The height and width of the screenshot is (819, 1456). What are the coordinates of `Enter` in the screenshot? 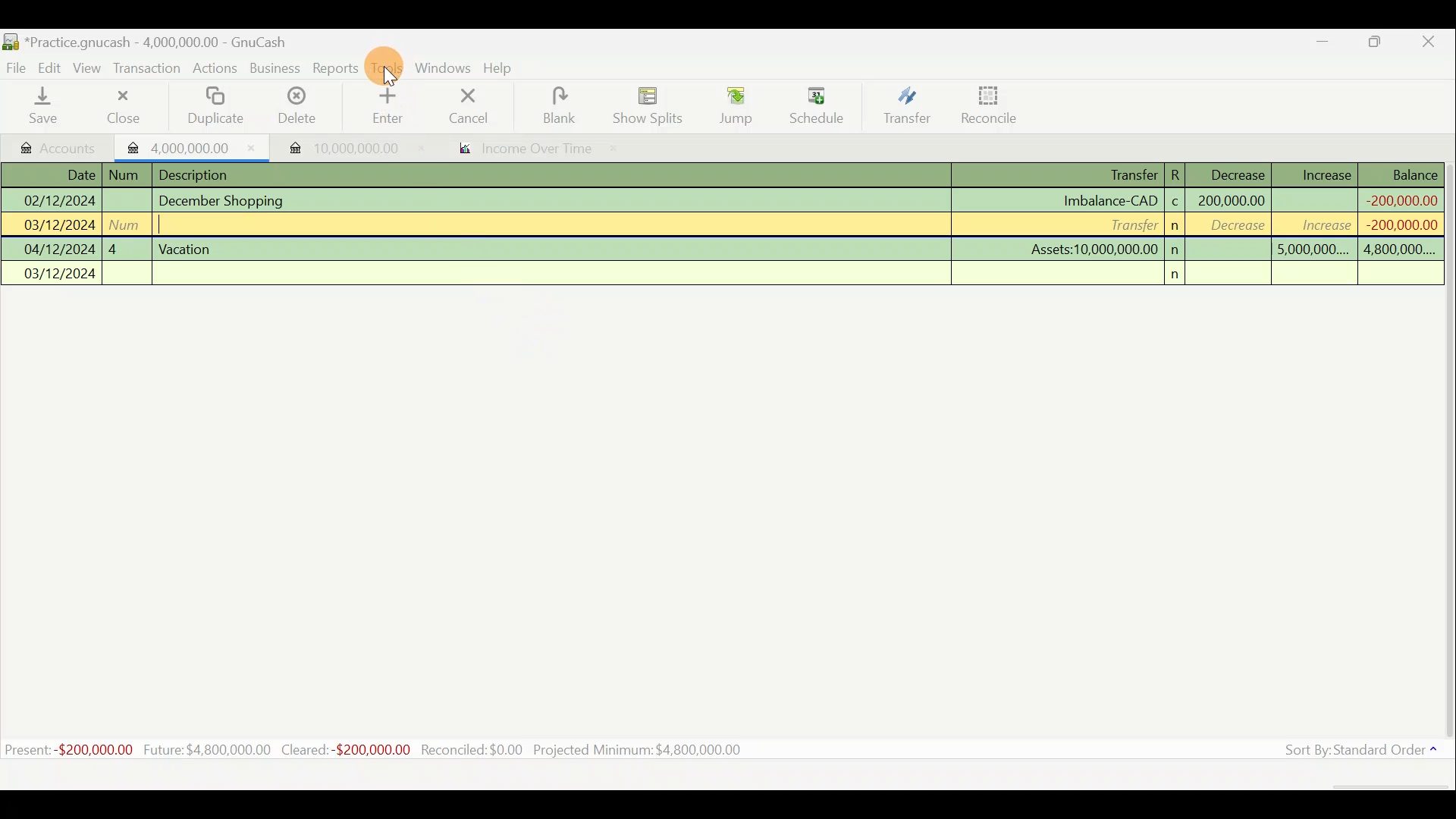 It's located at (384, 106).